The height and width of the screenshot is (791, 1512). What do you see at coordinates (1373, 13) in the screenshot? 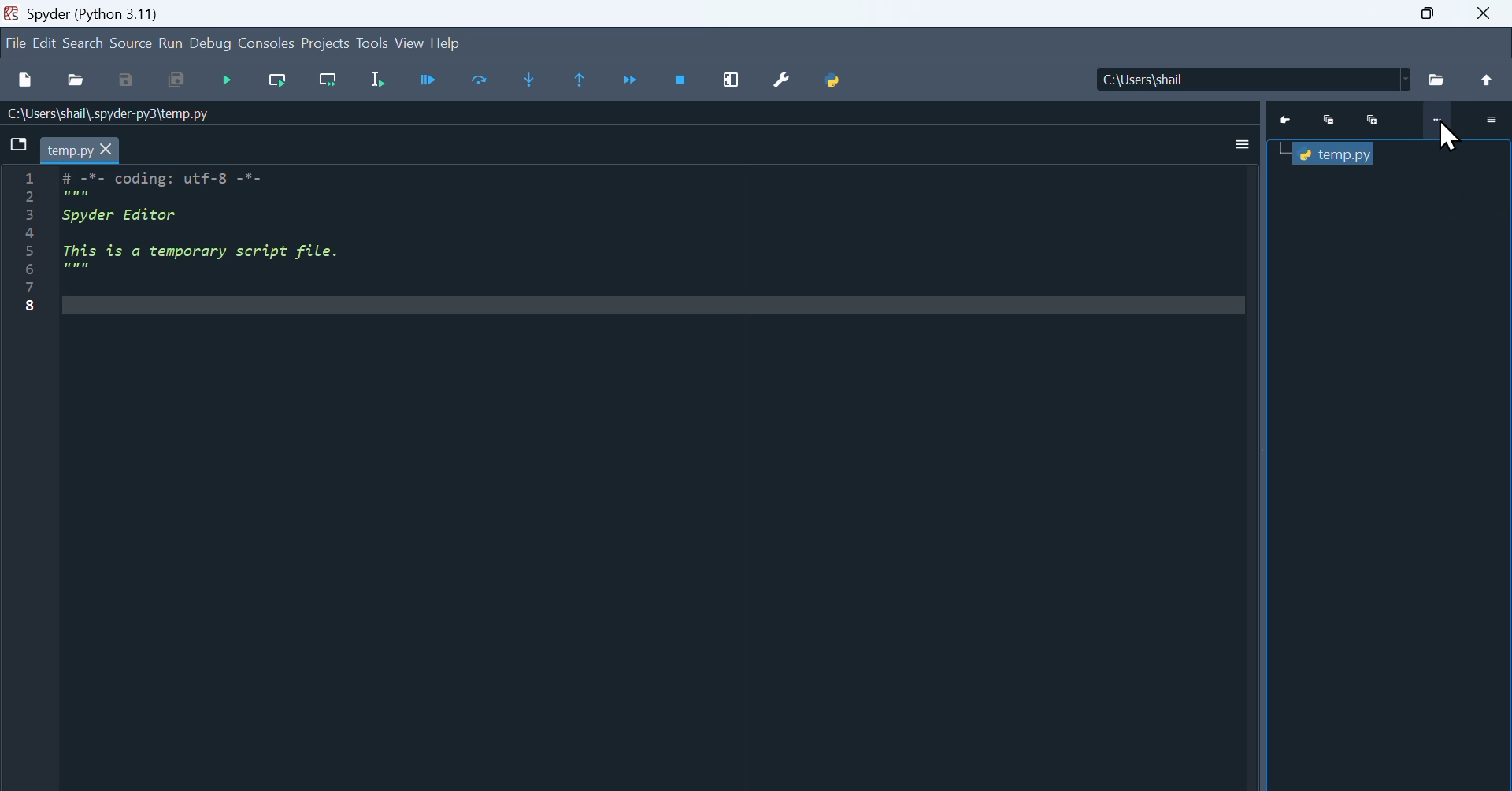
I see `minimize` at bounding box center [1373, 13].